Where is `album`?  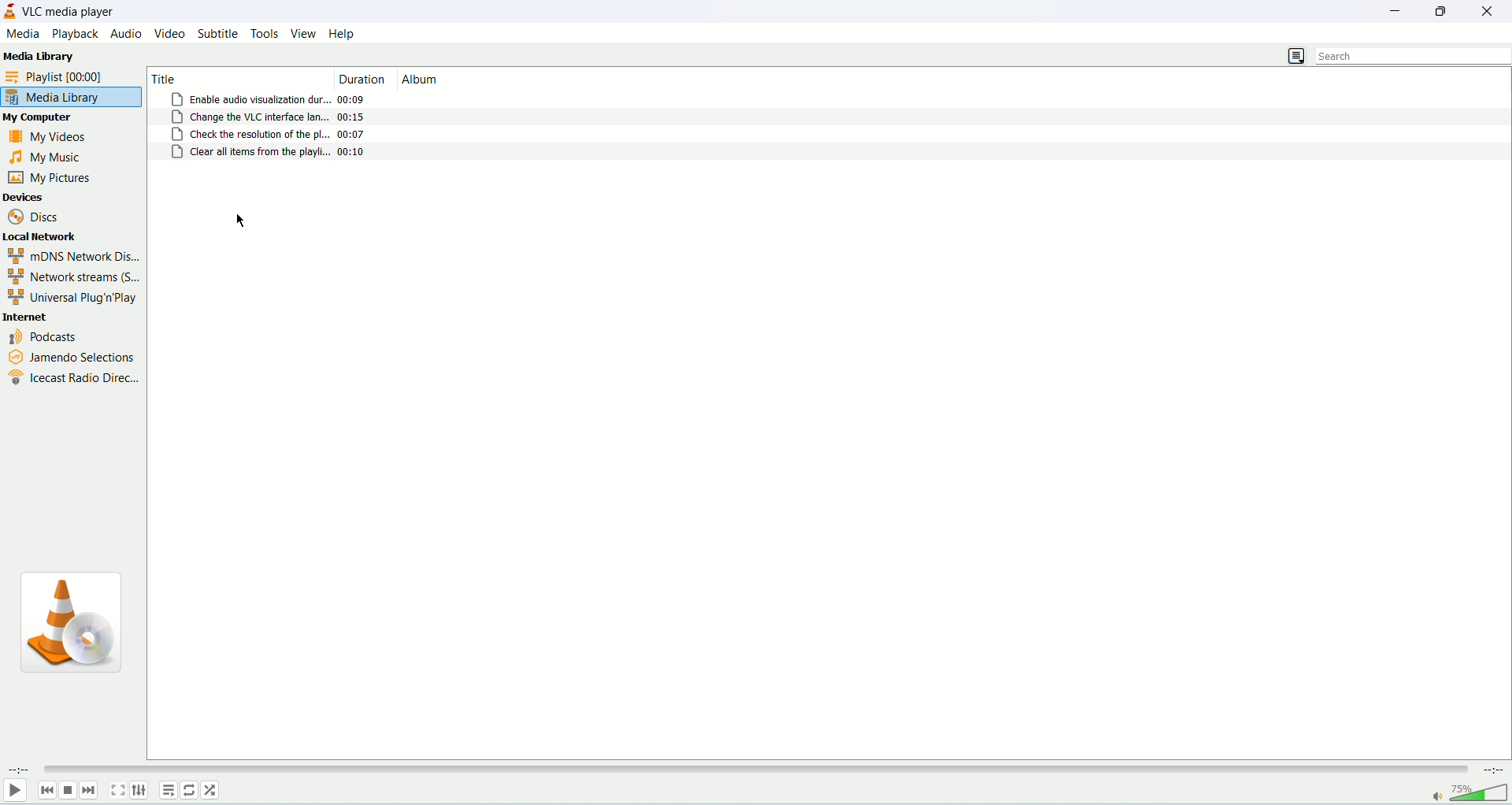
album is located at coordinates (423, 80).